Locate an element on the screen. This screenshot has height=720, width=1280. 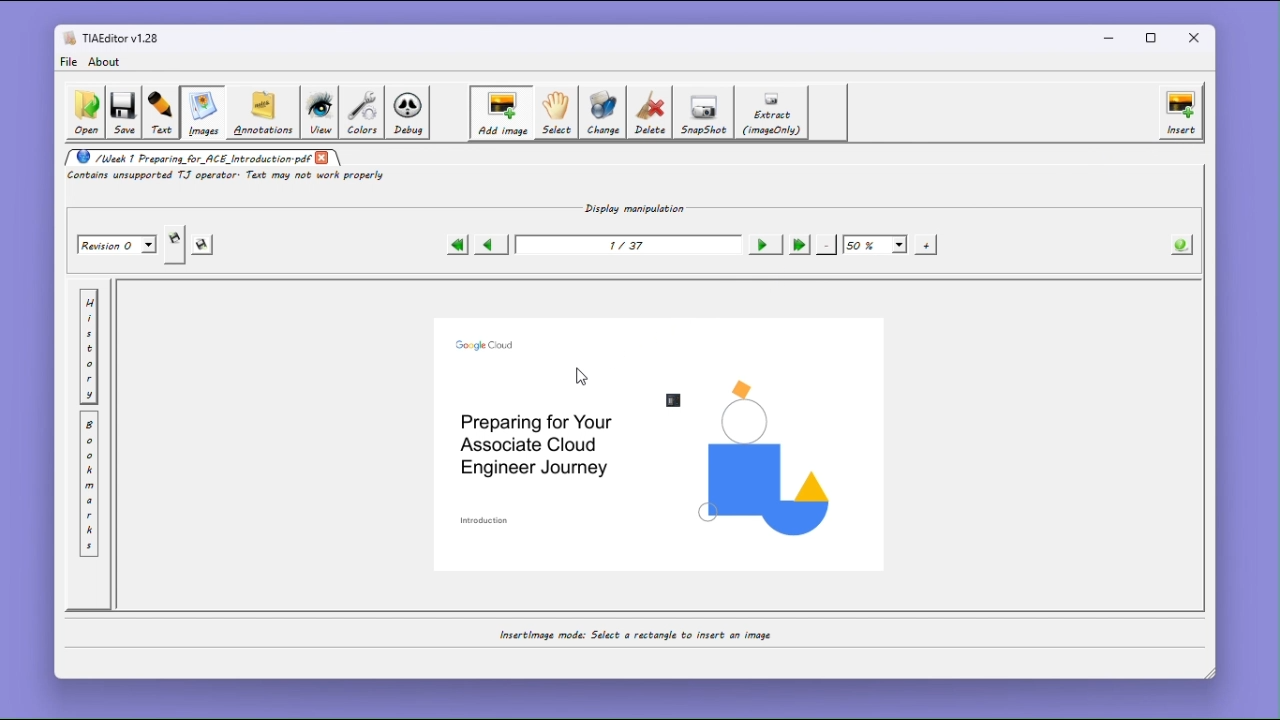
Next page is located at coordinates (762, 245).